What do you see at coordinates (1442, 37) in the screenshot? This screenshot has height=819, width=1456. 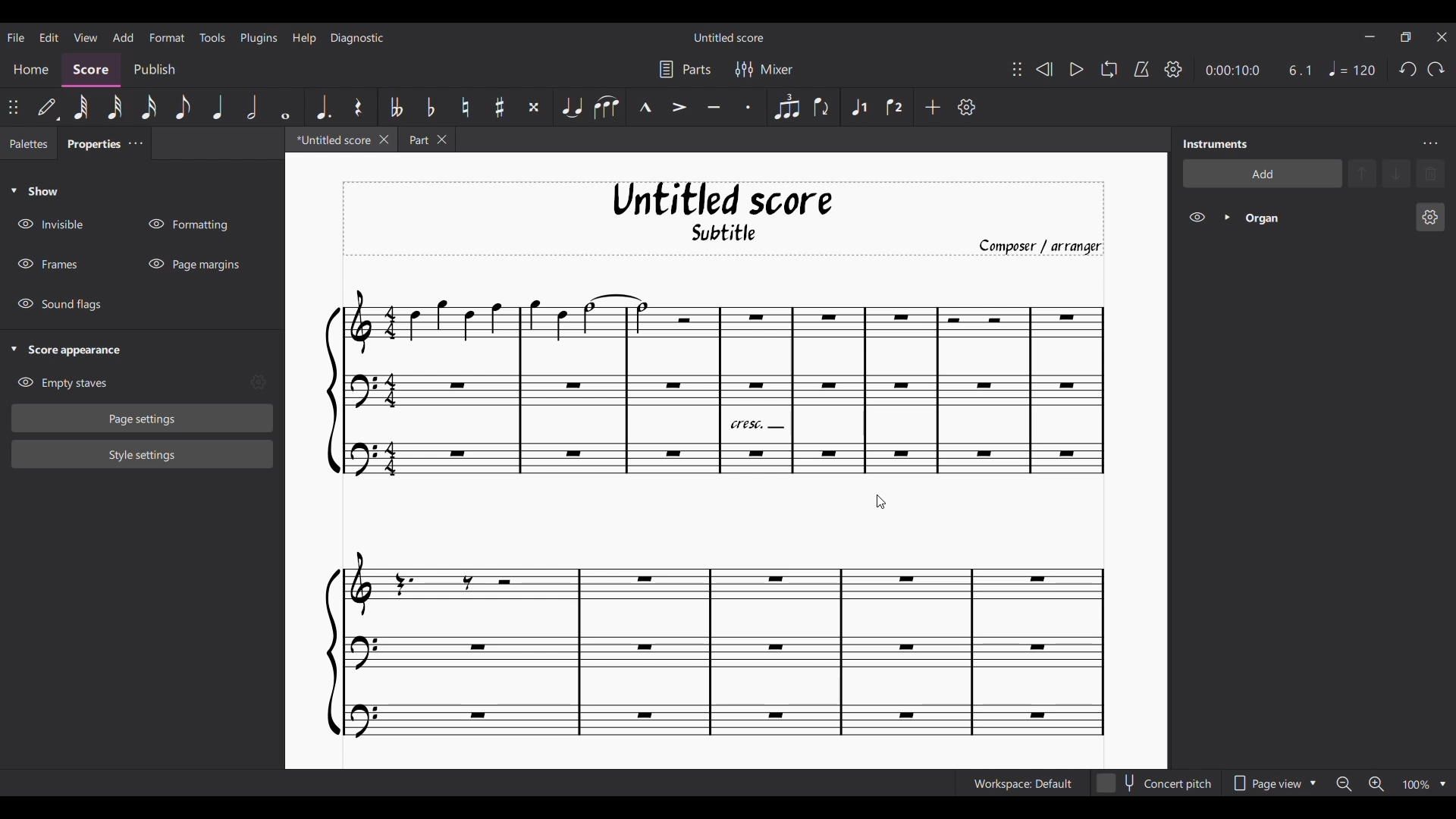 I see `Close interface` at bounding box center [1442, 37].